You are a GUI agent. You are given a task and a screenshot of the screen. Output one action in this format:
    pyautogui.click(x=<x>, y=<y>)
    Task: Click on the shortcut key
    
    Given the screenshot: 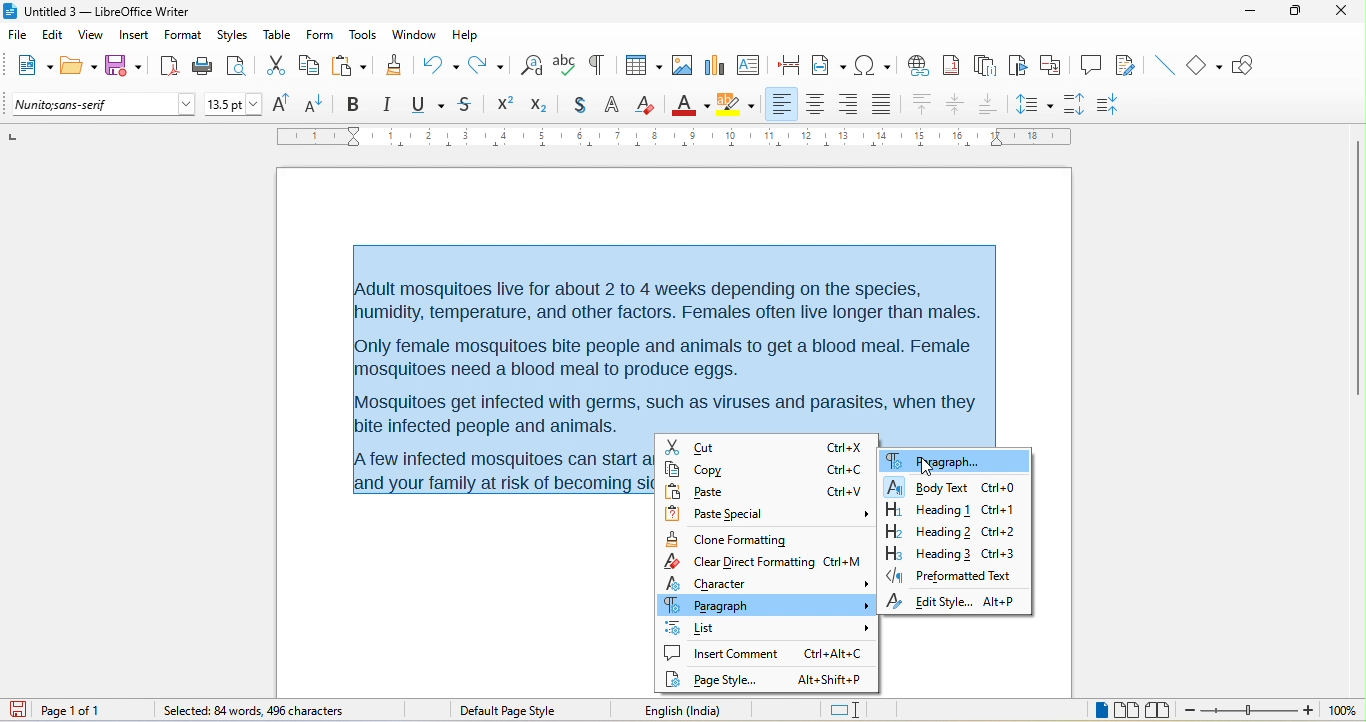 What is the action you would take?
    pyautogui.click(x=832, y=680)
    